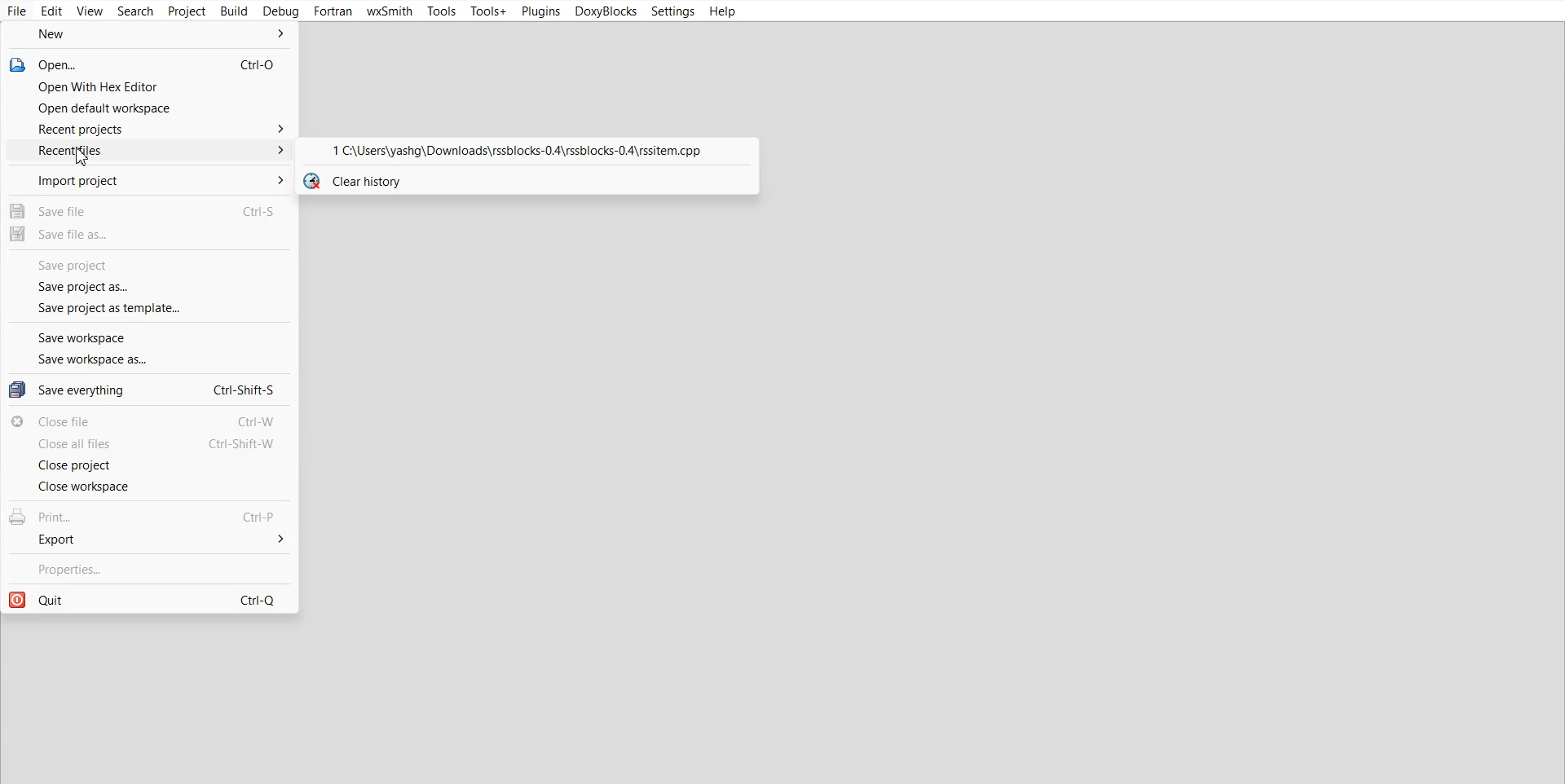 This screenshot has height=784, width=1565. What do you see at coordinates (52, 11) in the screenshot?
I see `Edit` at bounding box center [52, 11].